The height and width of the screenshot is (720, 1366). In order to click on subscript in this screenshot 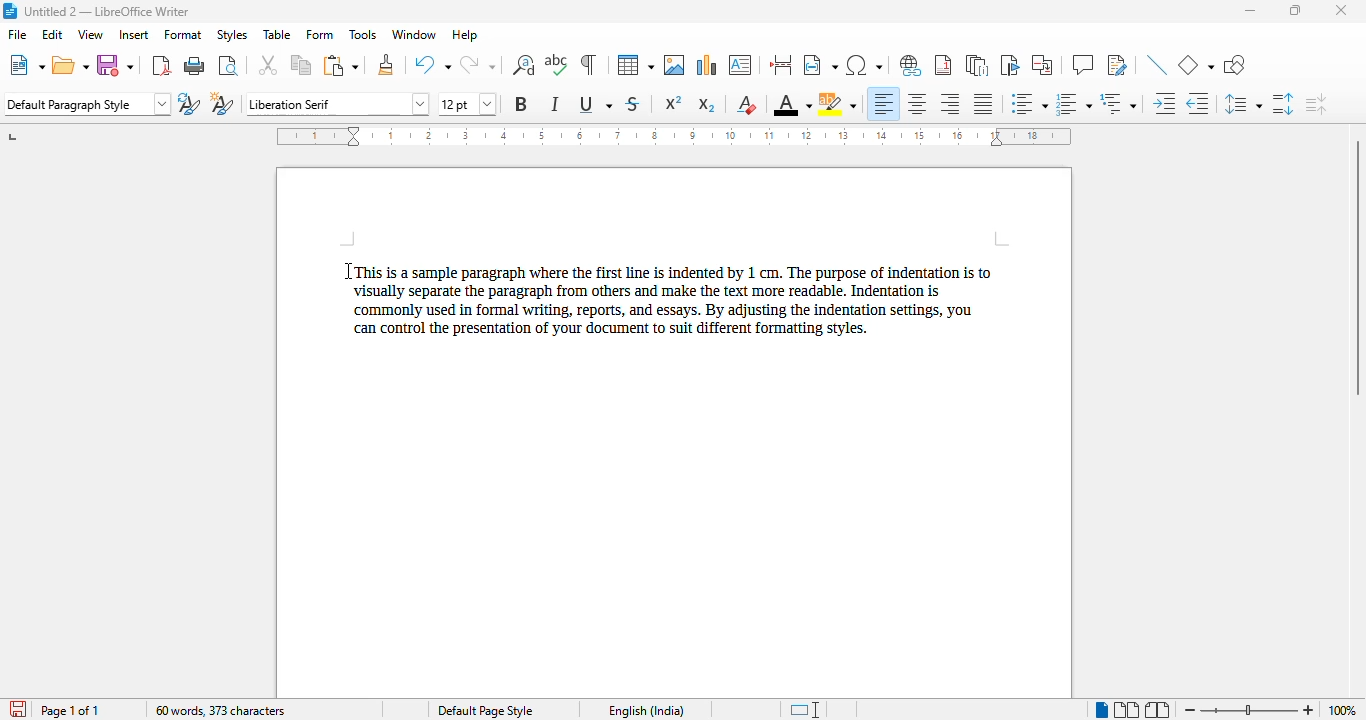, I will do `click(707, 105)`.